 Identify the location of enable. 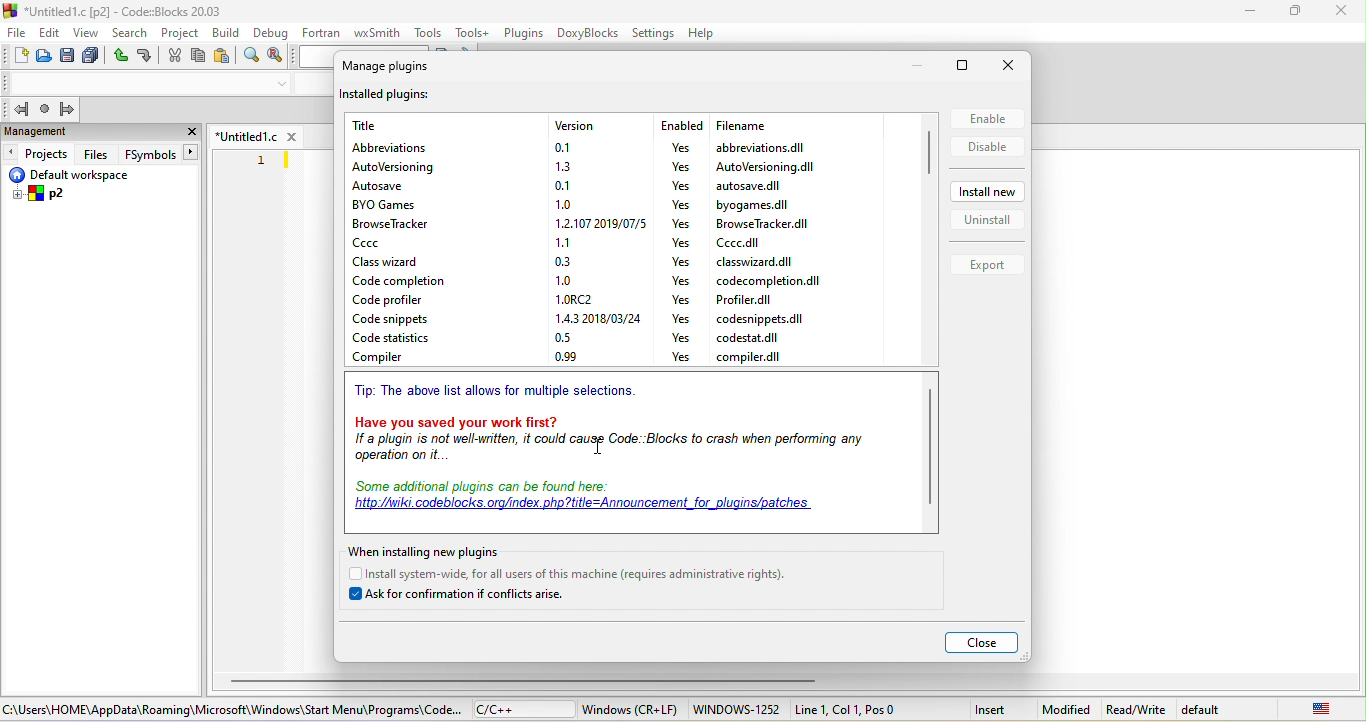
(987, 118).